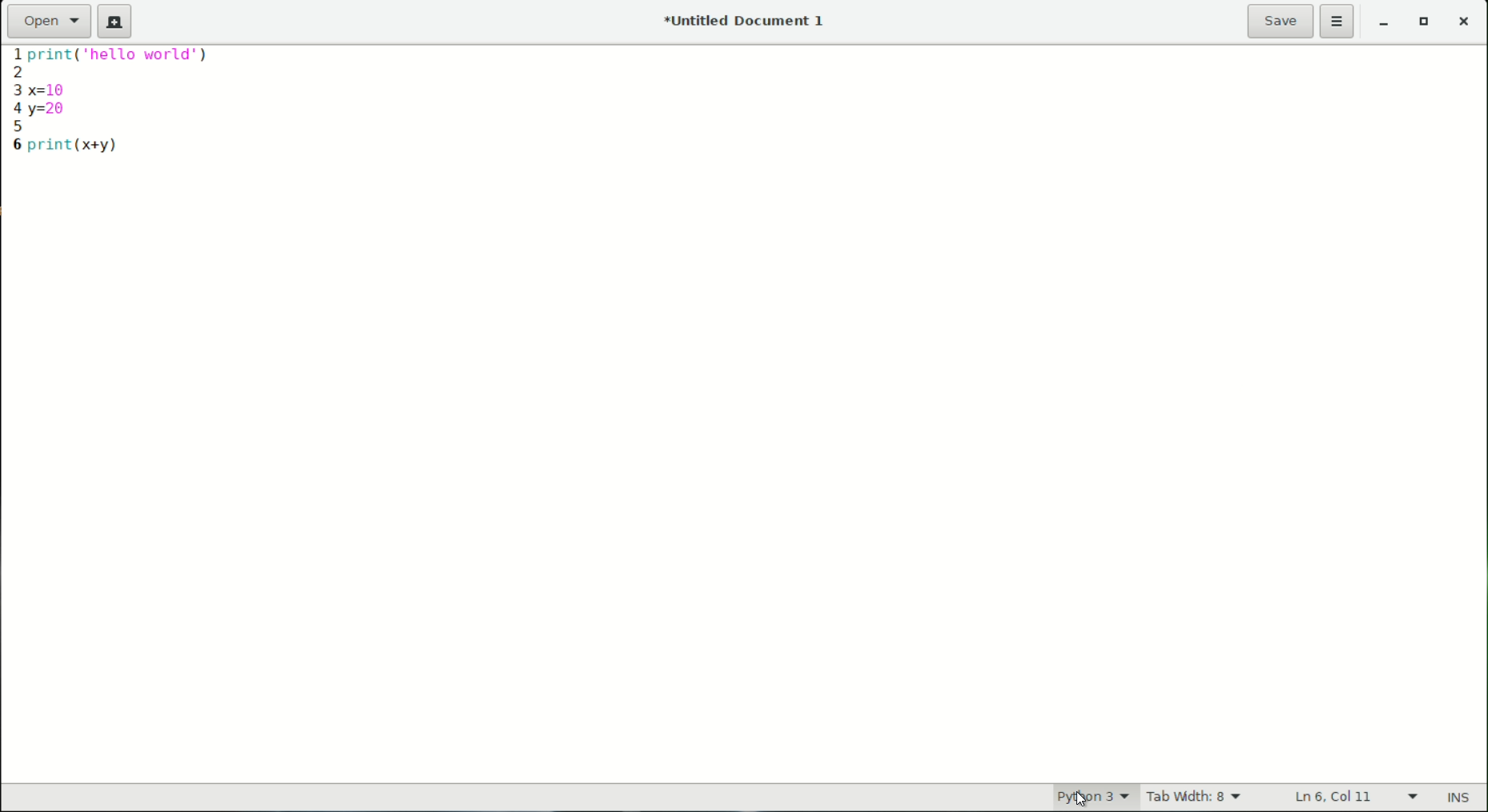 The height and width of the screenshot is (812, 1488). What do you see at coordinates (1336, 798) in the screenshot?
I see `cursor position` at bounding box center [1336, 798].